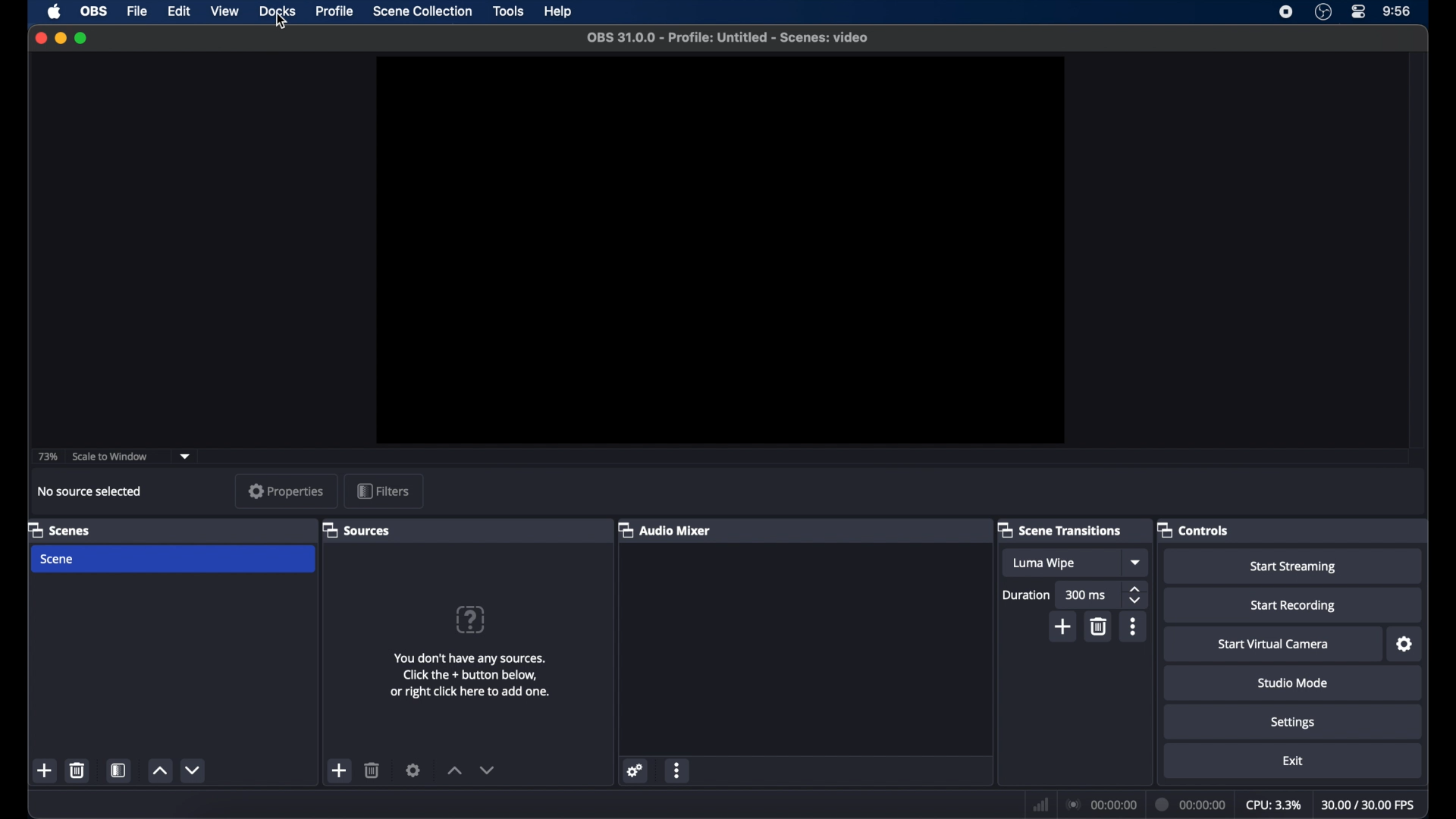 The width and height of the screenshot is (1456, 819). I want to click on luma wipe, so click(1061, 563).